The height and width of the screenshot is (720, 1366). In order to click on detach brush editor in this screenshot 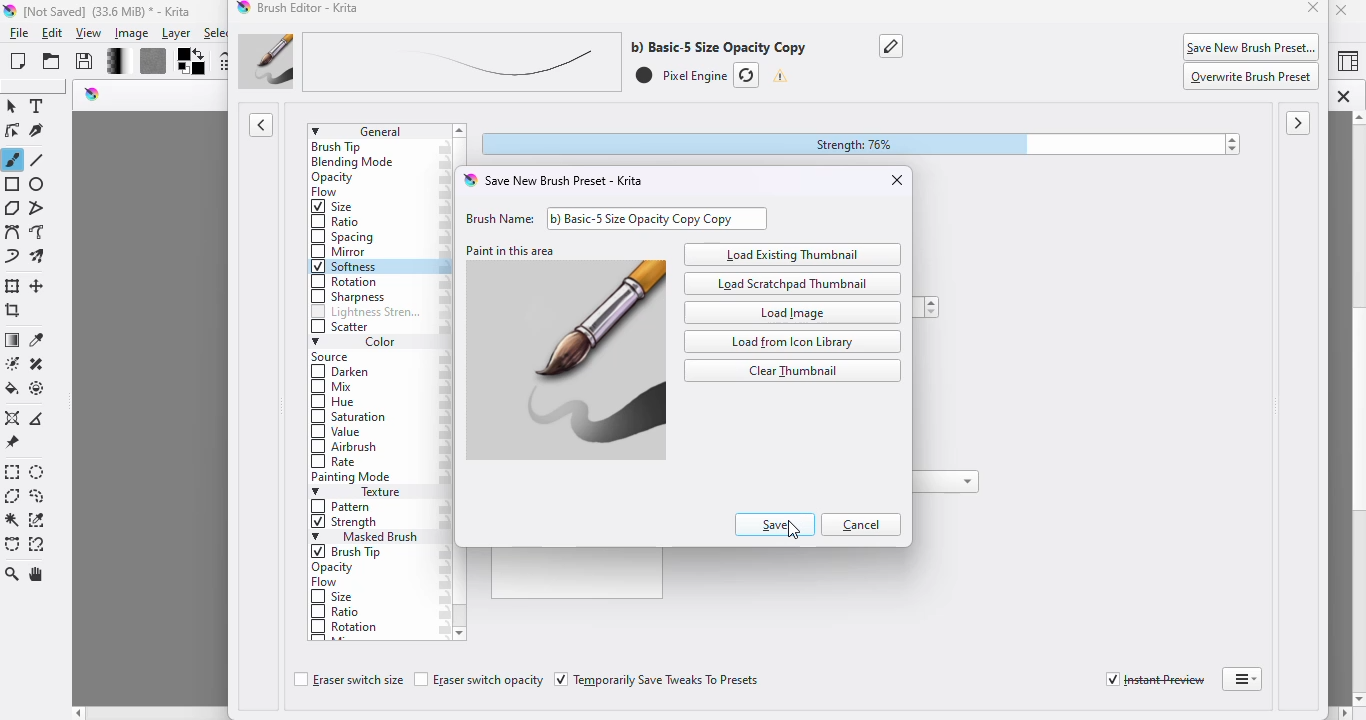, I will do `click(1242, 679)`.